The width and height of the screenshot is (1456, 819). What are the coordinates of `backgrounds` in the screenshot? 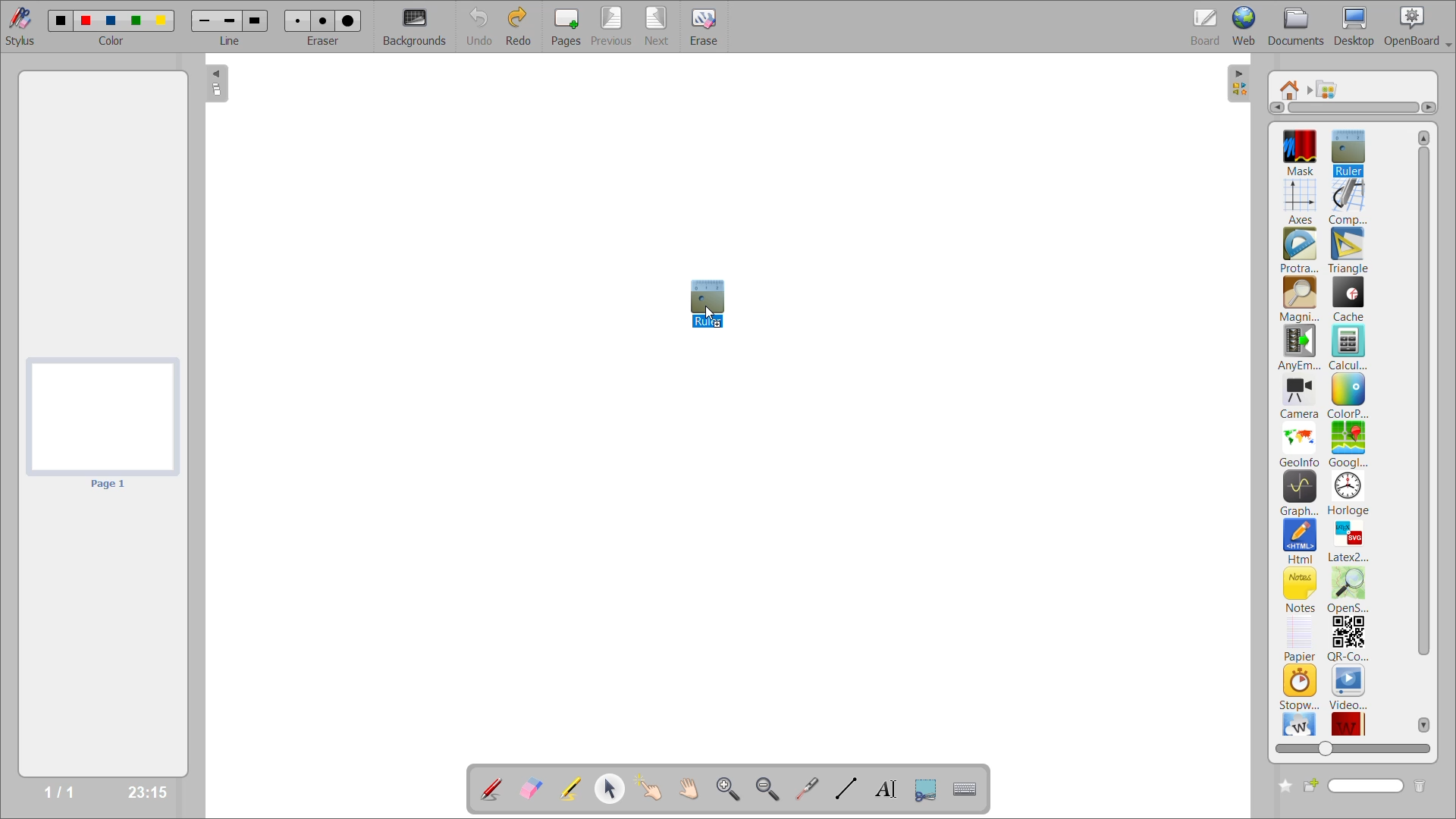 It's located at (417, 27).